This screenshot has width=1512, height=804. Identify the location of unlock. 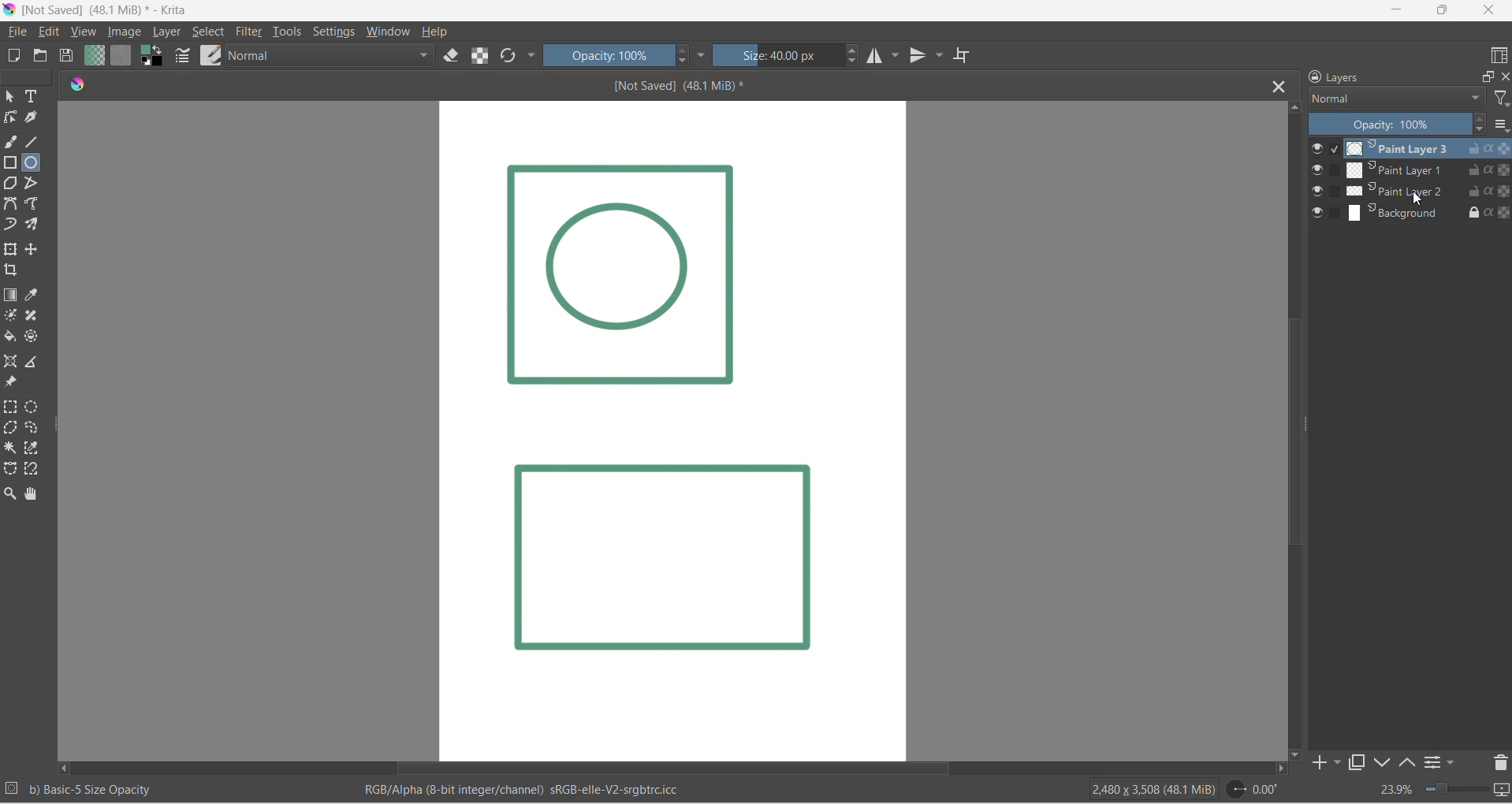
(1470, 171).